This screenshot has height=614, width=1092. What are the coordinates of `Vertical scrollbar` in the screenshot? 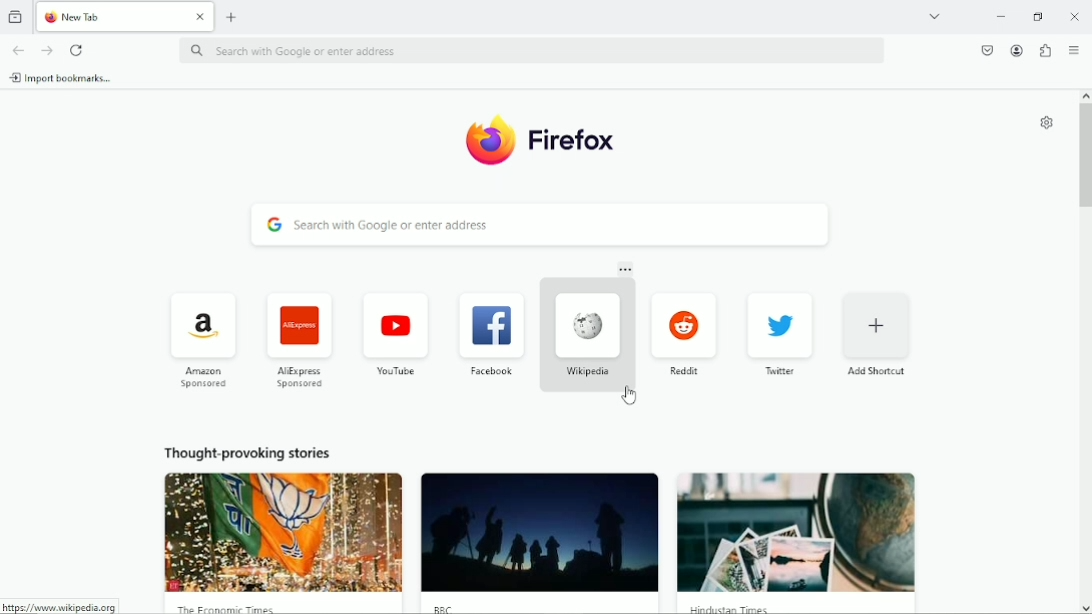 It's located at (1084, 157).